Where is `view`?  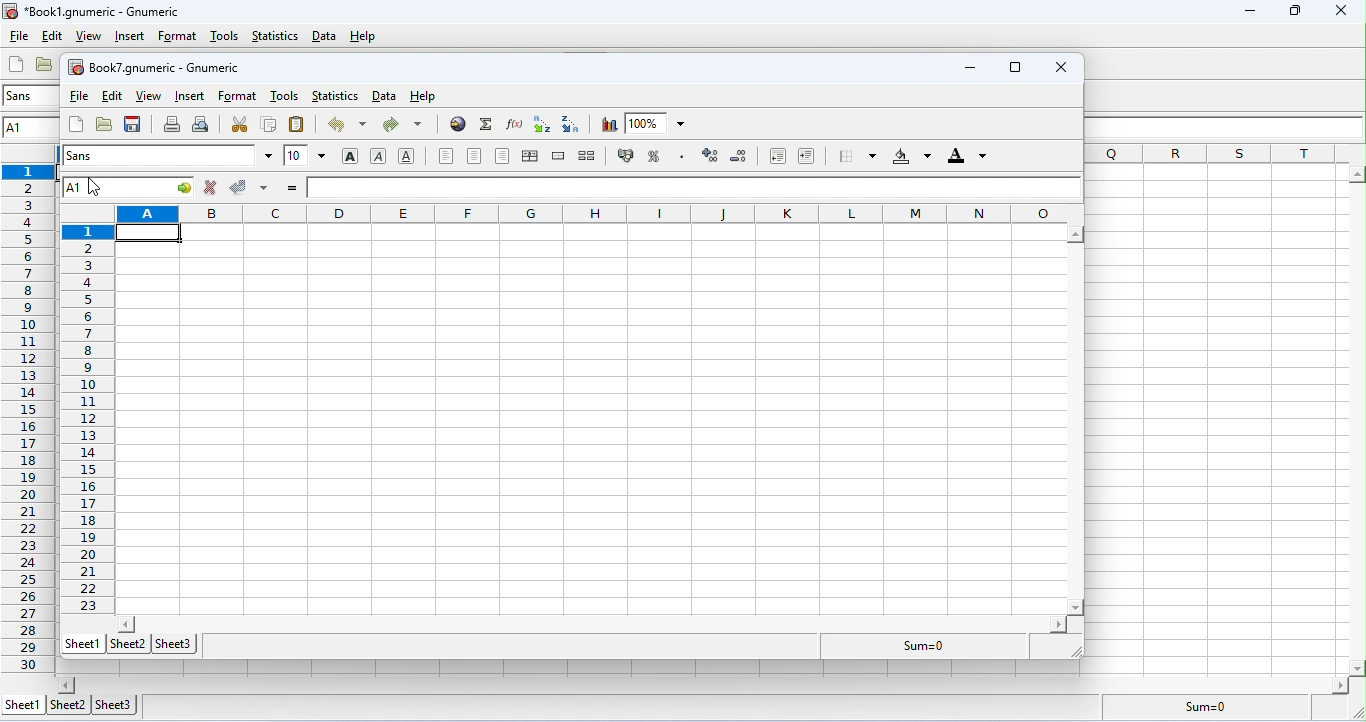 view is located at coordinates (89, 37).